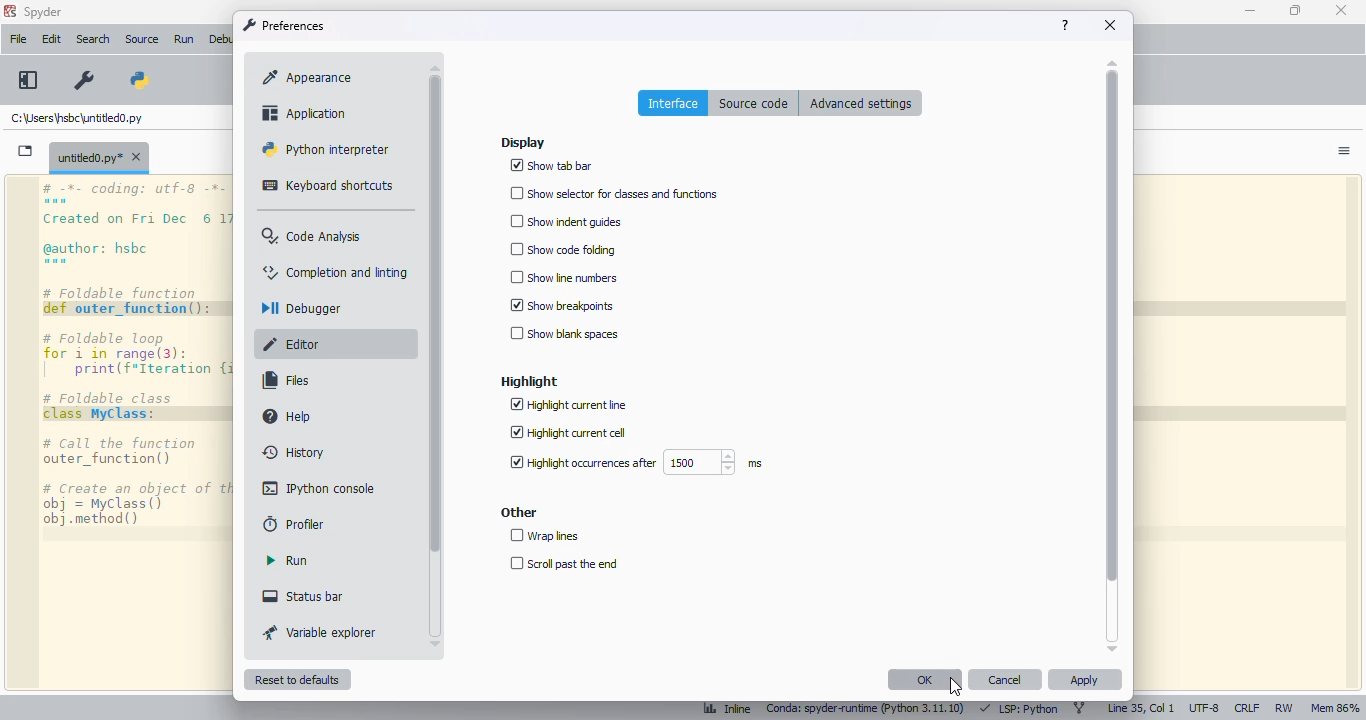 This screenshot has width=1366, height=720. I want to click on scroll past the end, so click(563, 564).